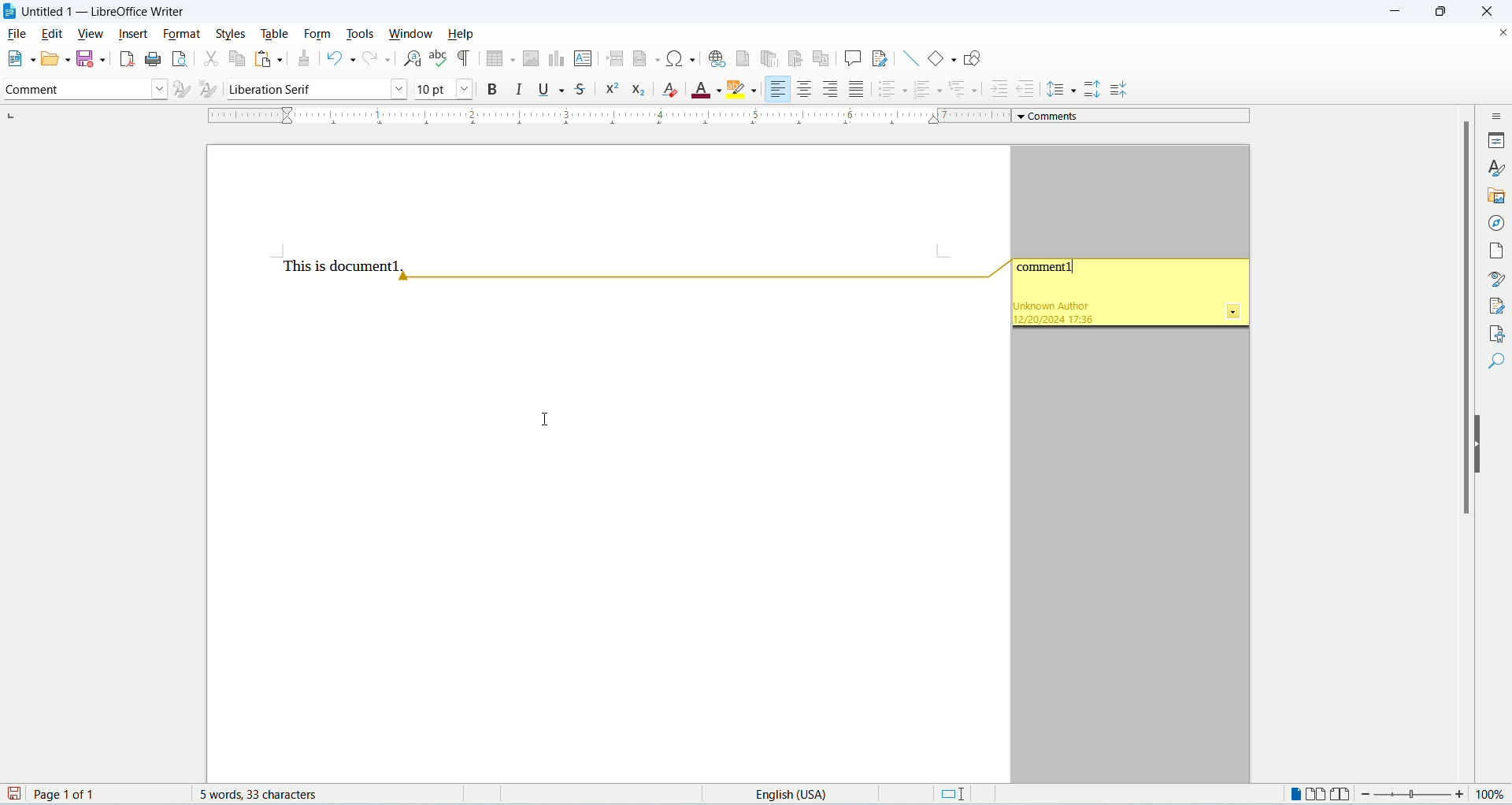 This screenshot has width=1512, height=805. What do you see at coordinates (547, 420) in the screenshot?
I see `cursor` at bounding box center [547, 420].